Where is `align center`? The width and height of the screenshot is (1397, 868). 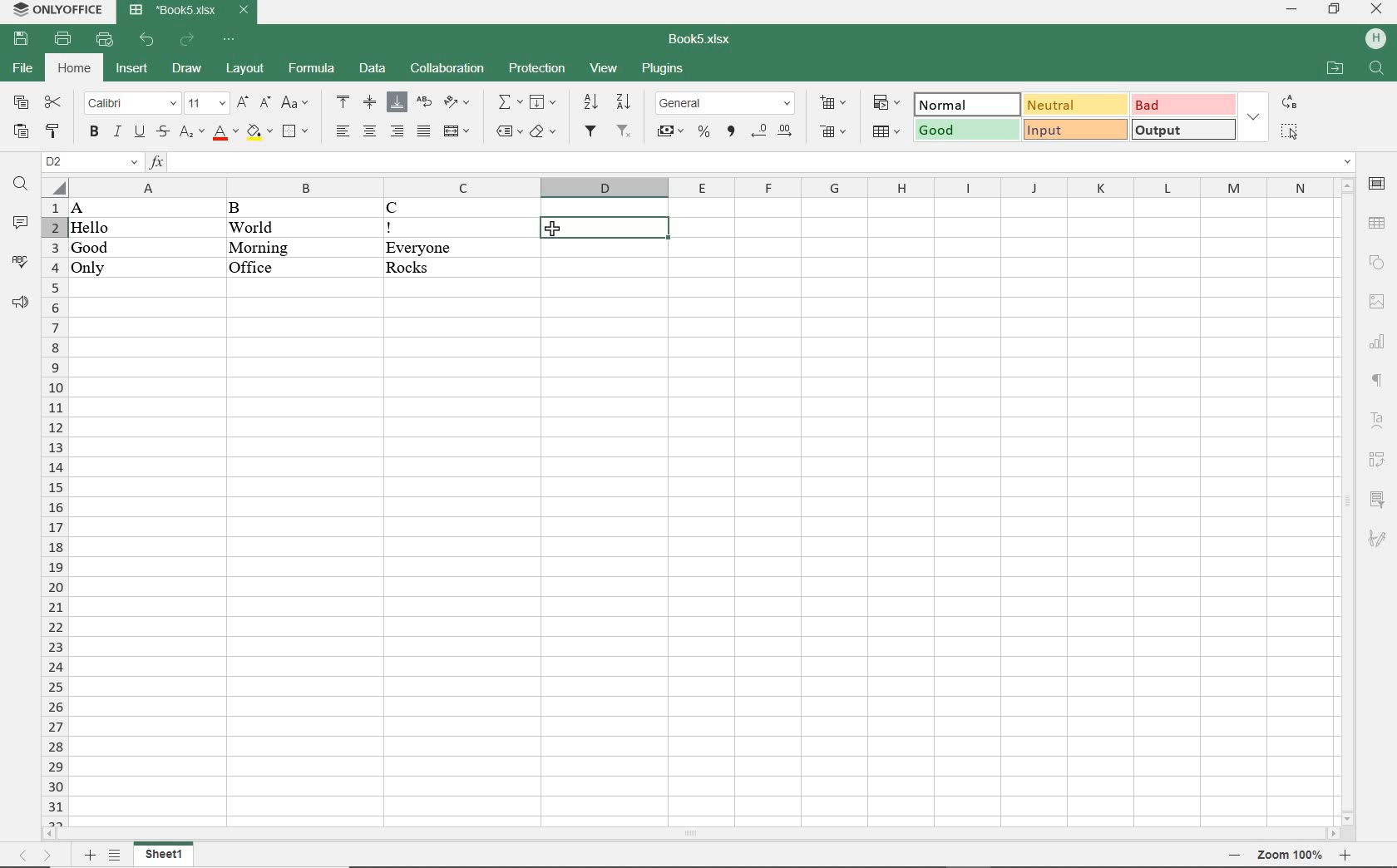 align center is located at coordinates (369, 131).